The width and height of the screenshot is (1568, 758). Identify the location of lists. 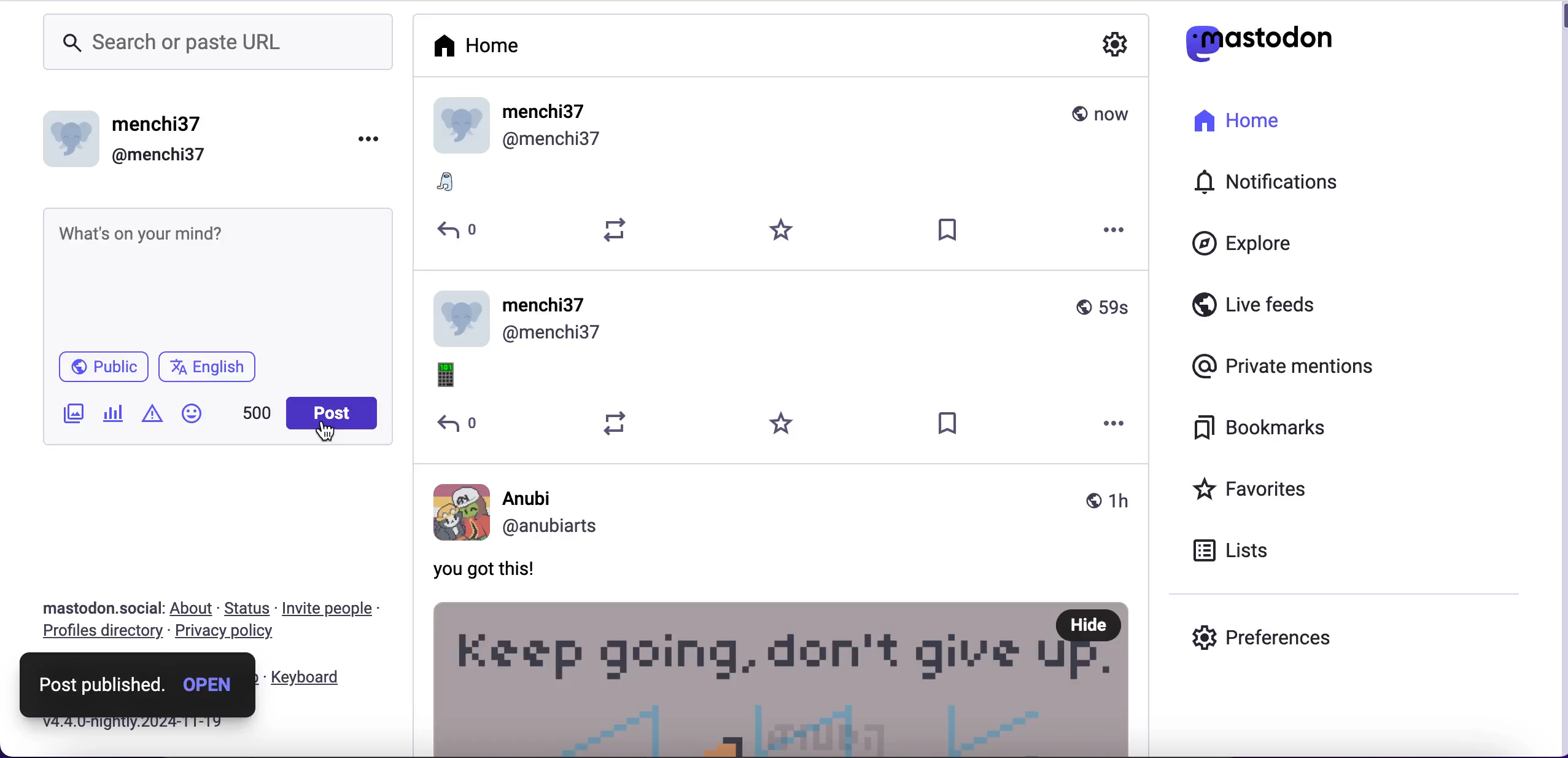
(1234, 551).